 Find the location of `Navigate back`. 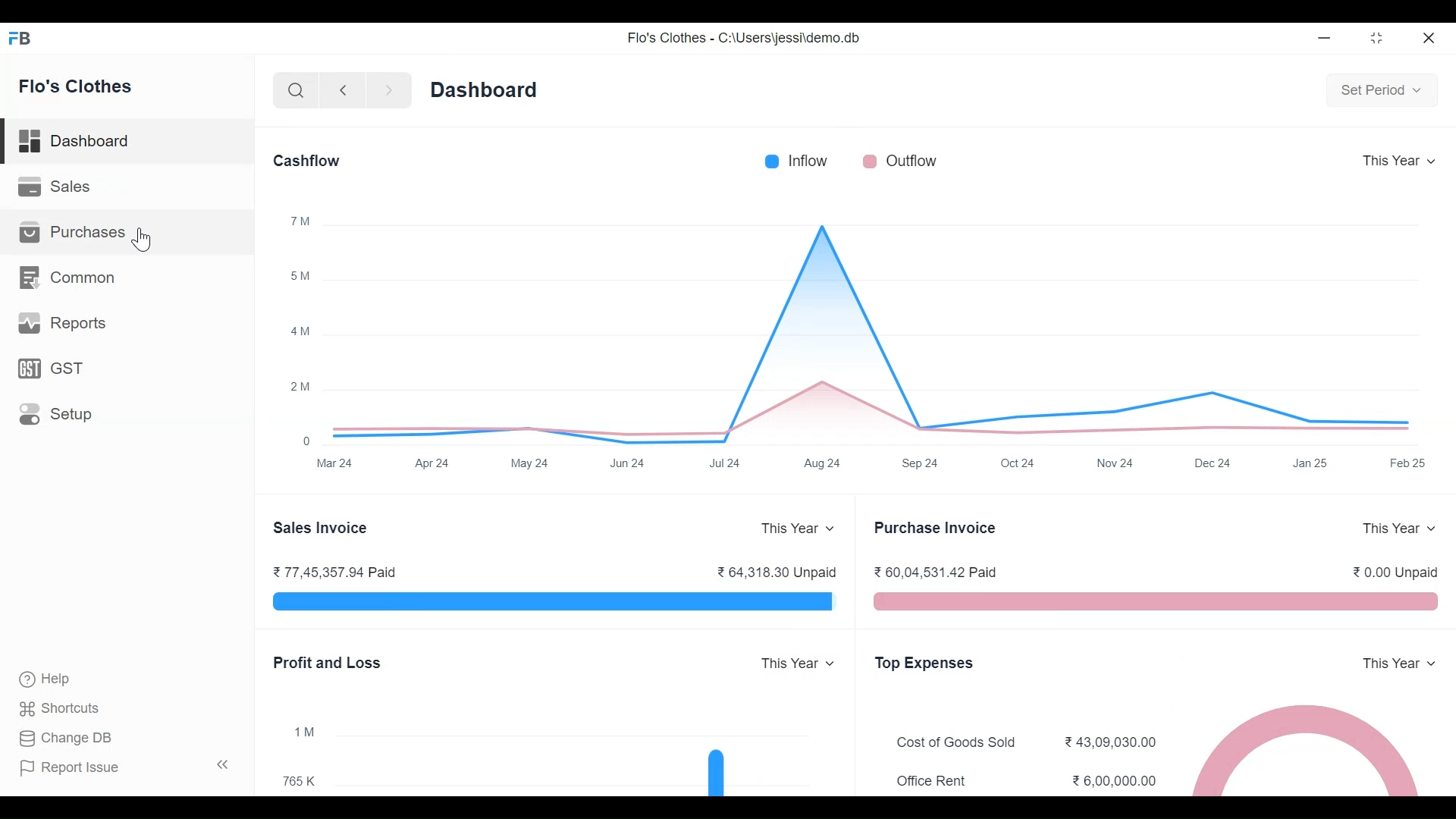

Navigate back is located at coordinates (340, 91).